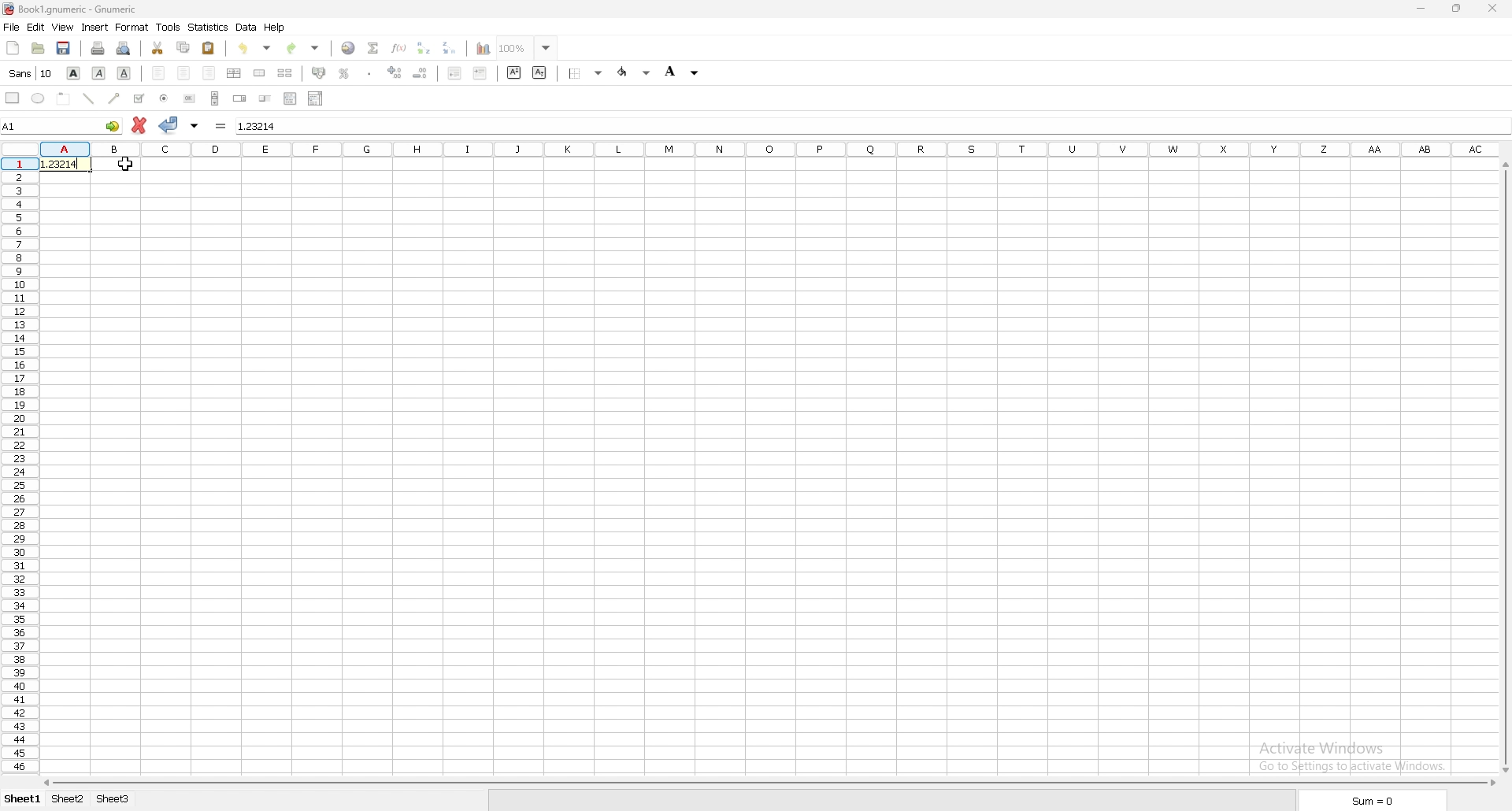 The width and height of the screenshot is (1512, 811). What do you see at coordinates (98, 48) in the screenshot?
I see `print` at bounding box center [98, 48].